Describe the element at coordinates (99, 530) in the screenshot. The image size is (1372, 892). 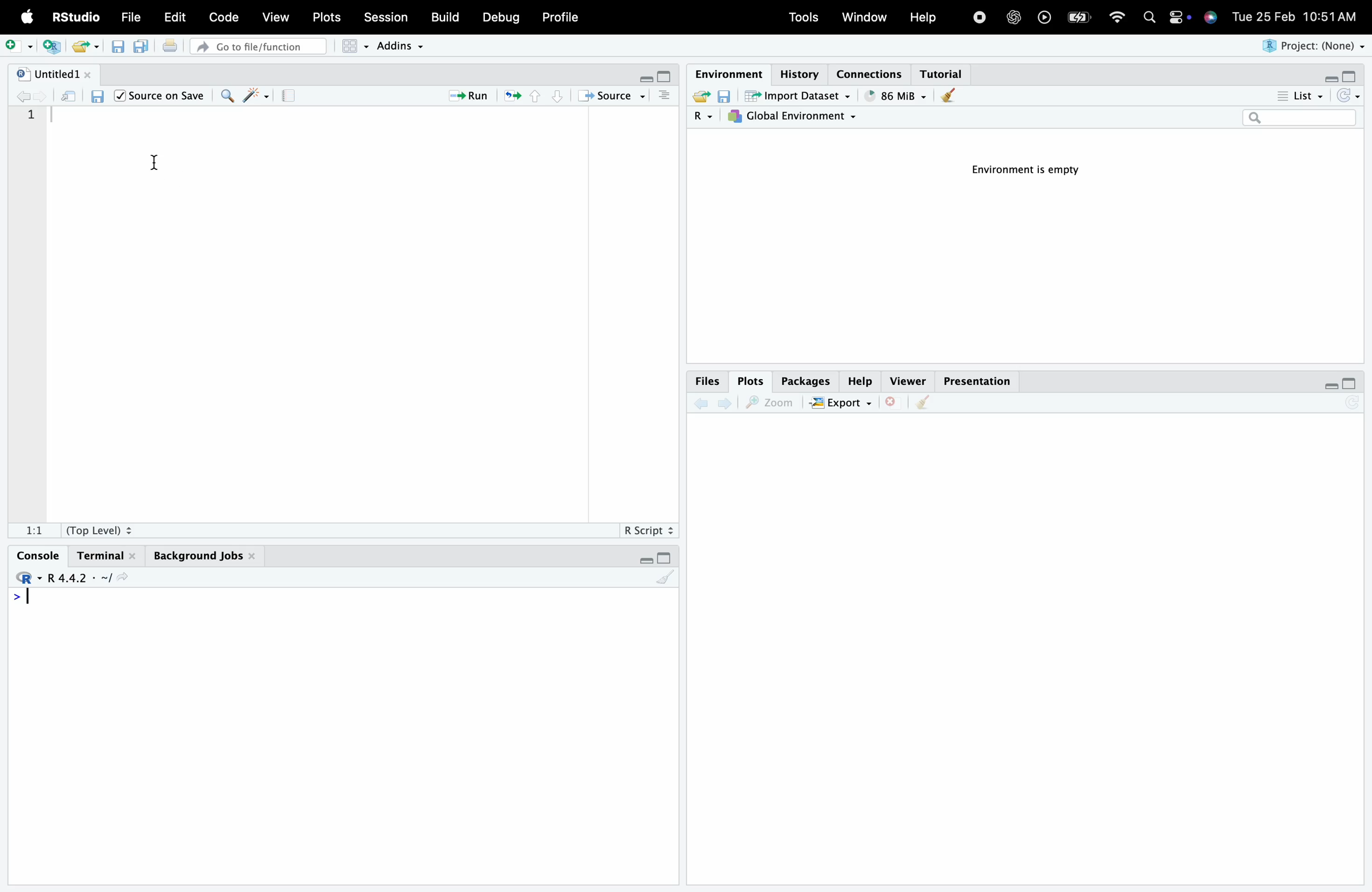
I see `(Top Level) +` at that location.